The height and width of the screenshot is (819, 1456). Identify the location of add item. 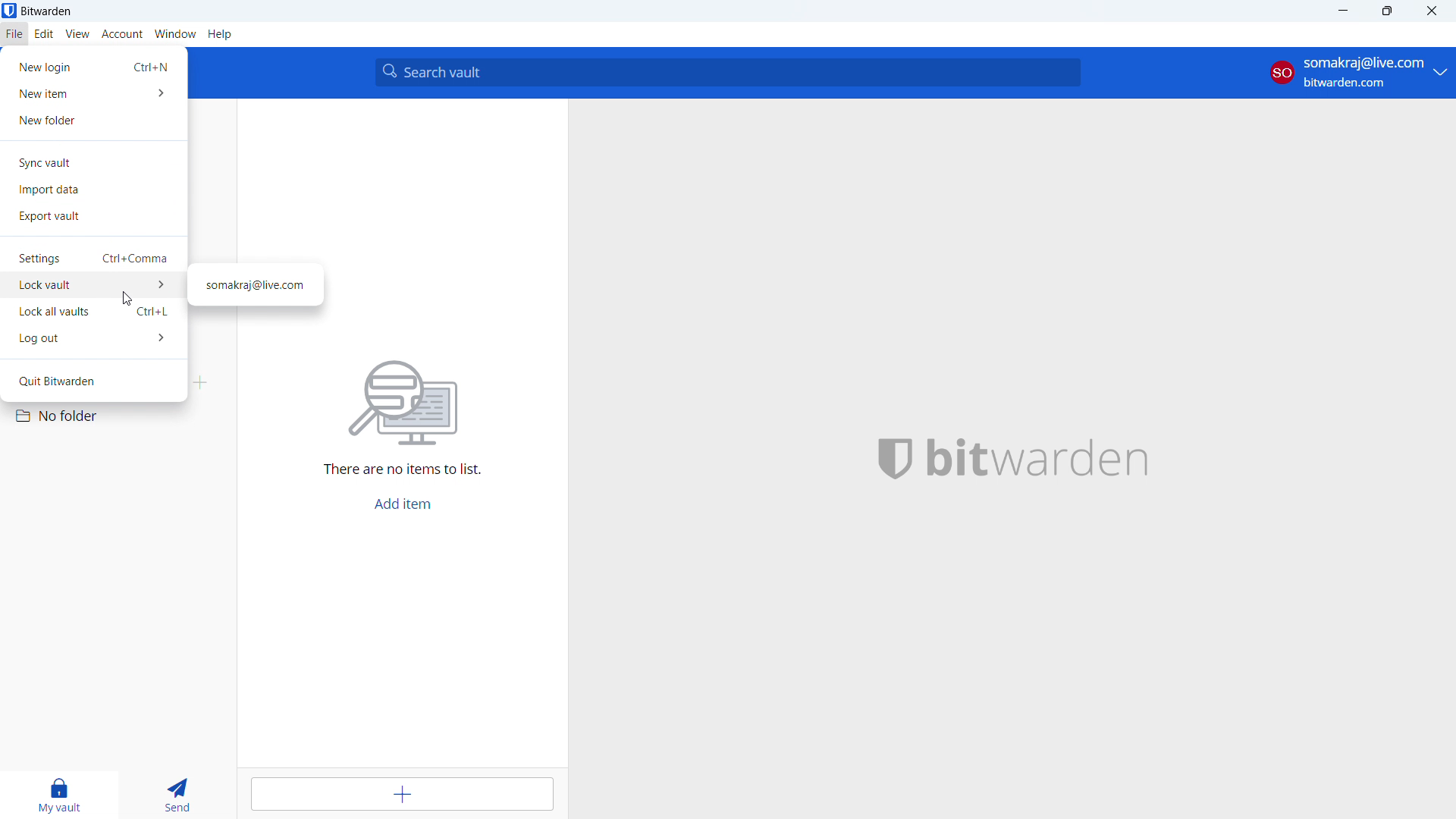
(400, 504).